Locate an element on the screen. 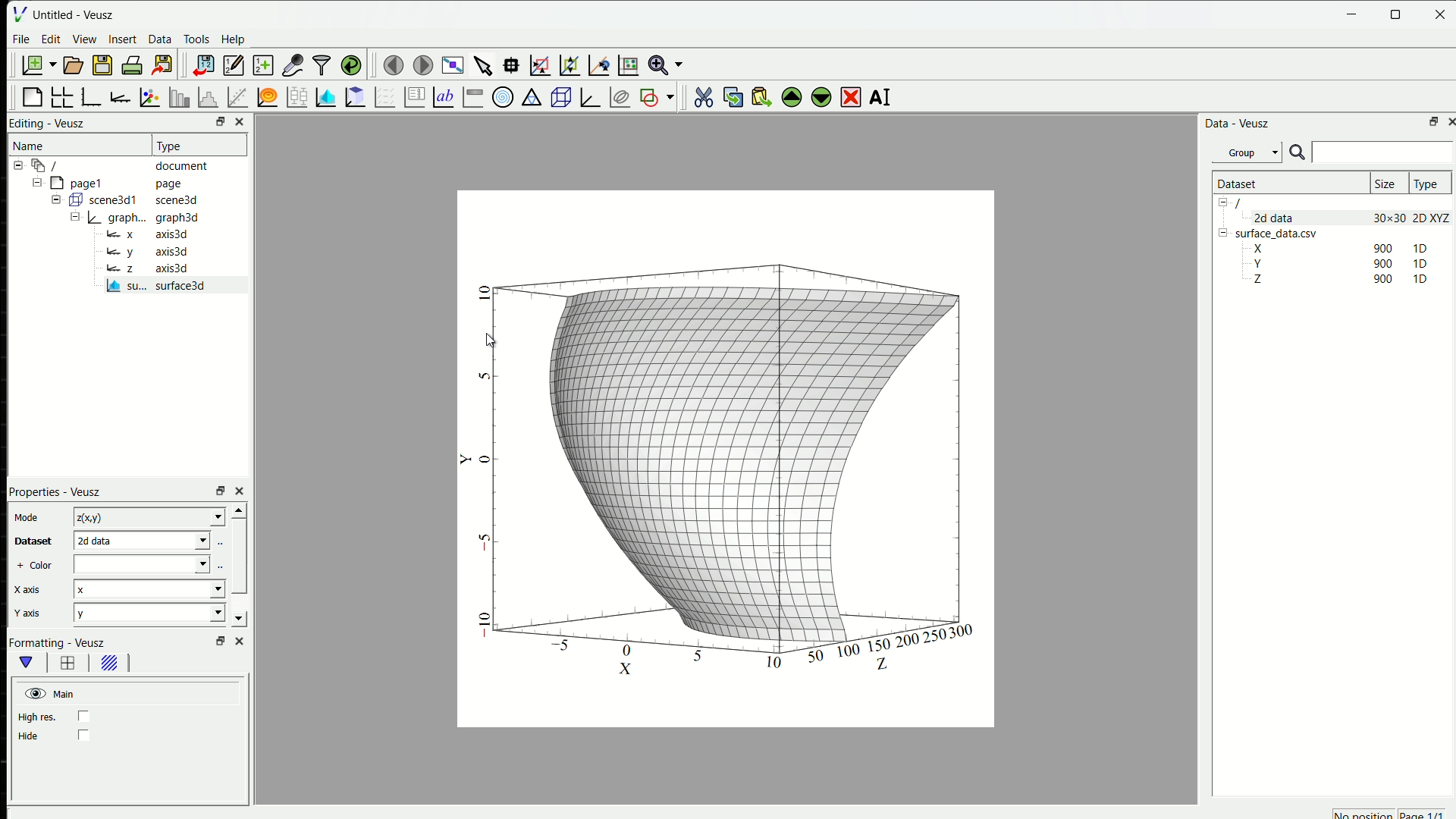 This screenshot has width=1456, height=819. 2d graph is located at coordinates (726, 475).